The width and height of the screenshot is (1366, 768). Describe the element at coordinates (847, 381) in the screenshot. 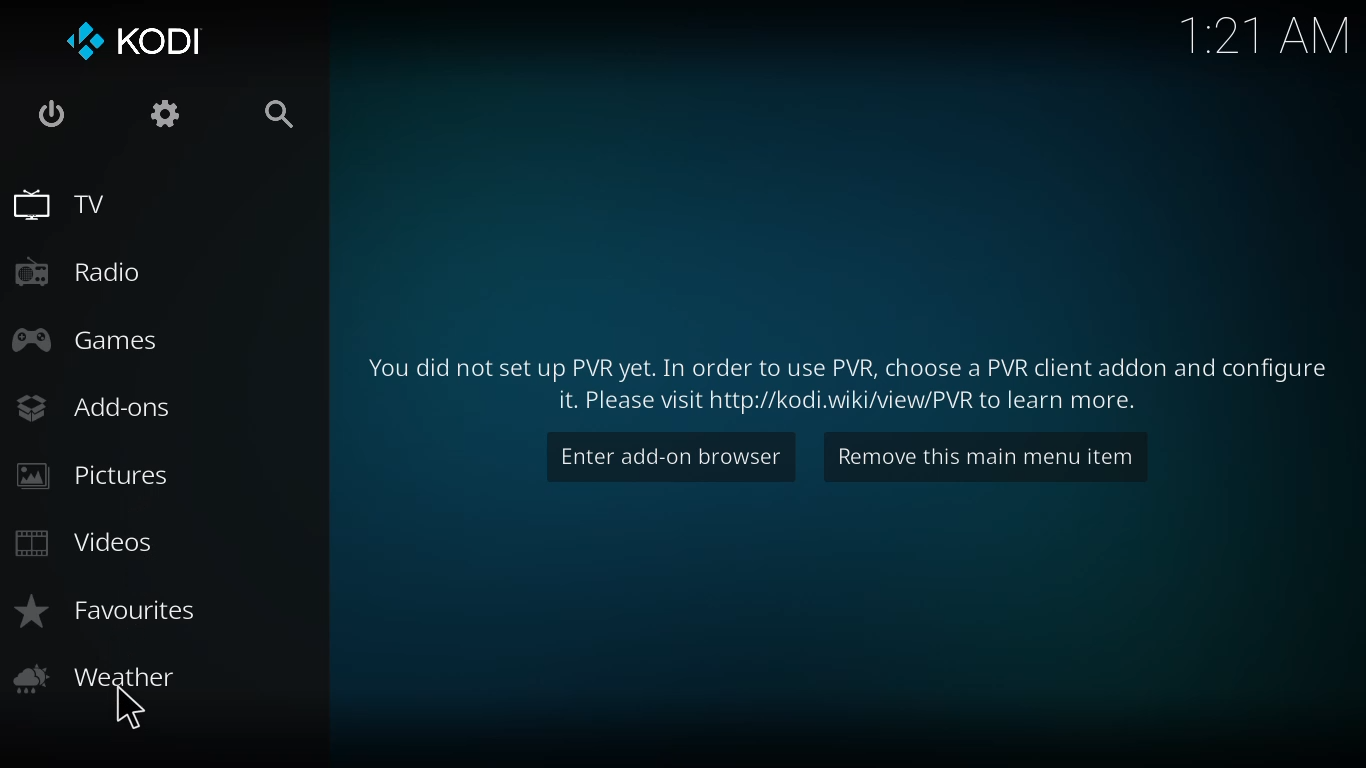

I see `learn more` at that location.